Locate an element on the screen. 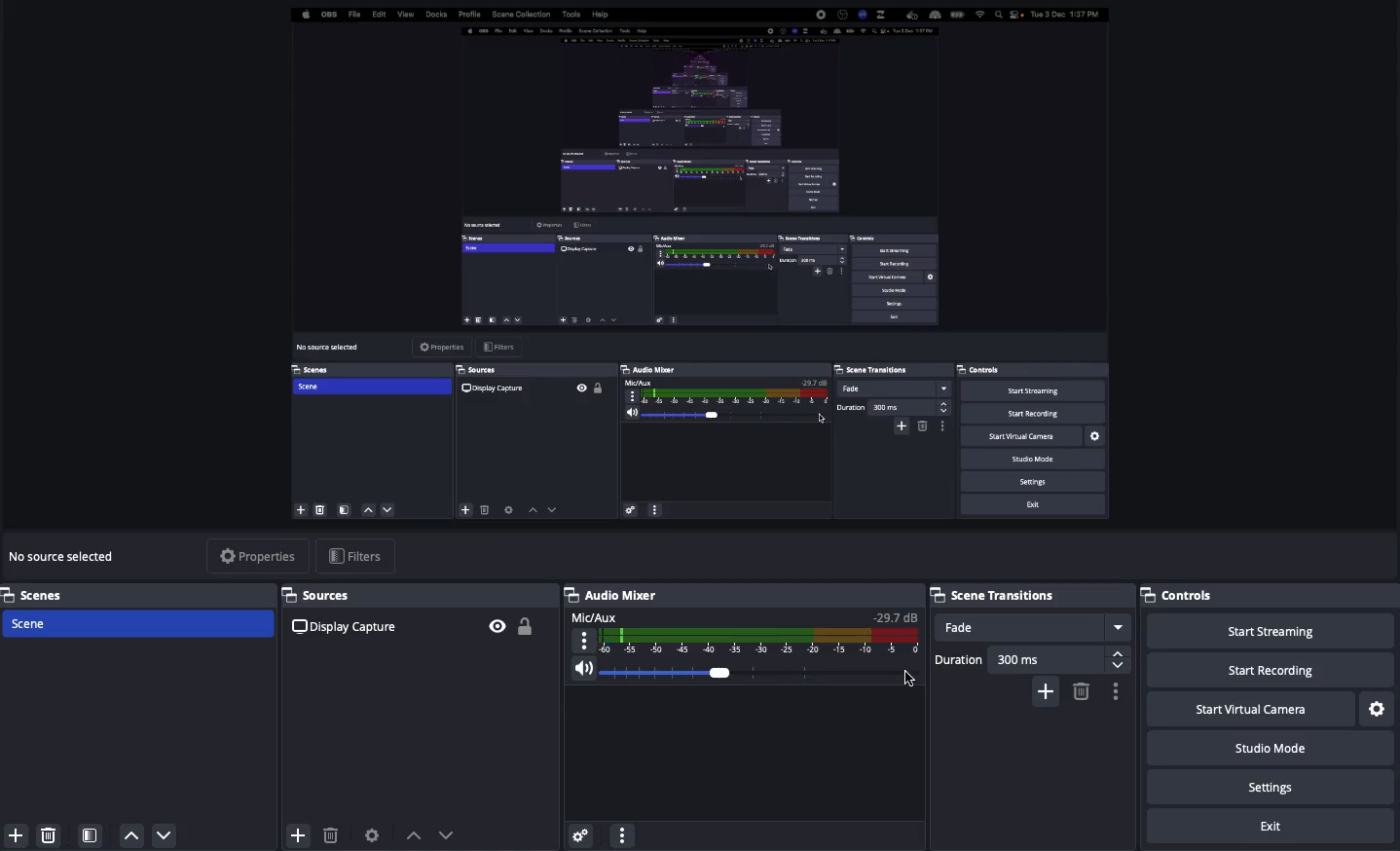 The height and width of the screenshot is (851, 1400). Add is located at coordinates (296, 832).